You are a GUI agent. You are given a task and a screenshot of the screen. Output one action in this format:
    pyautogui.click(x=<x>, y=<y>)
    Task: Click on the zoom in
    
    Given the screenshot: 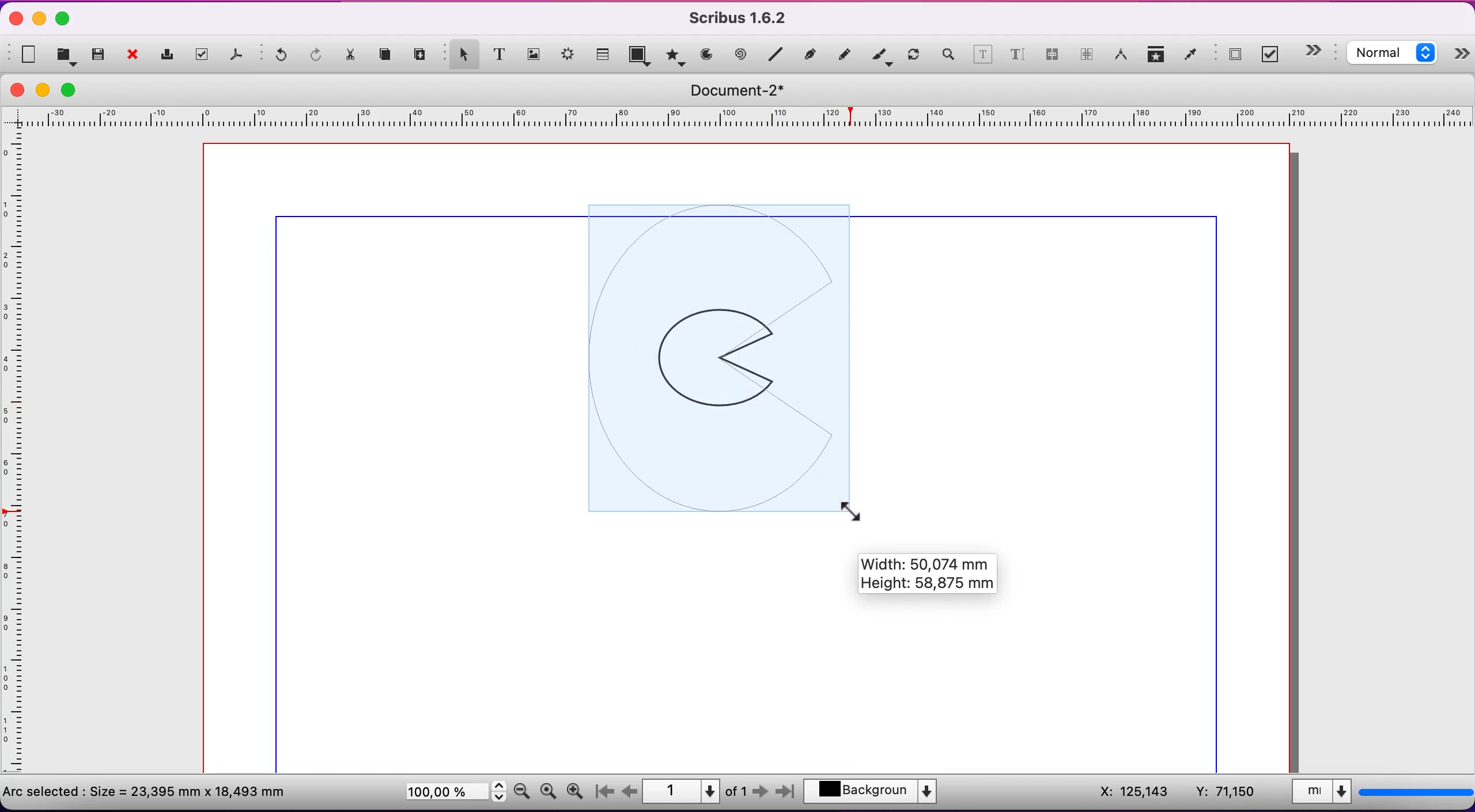 What is the action you would take?
    pyautogui.click(x=578, y=788)
    